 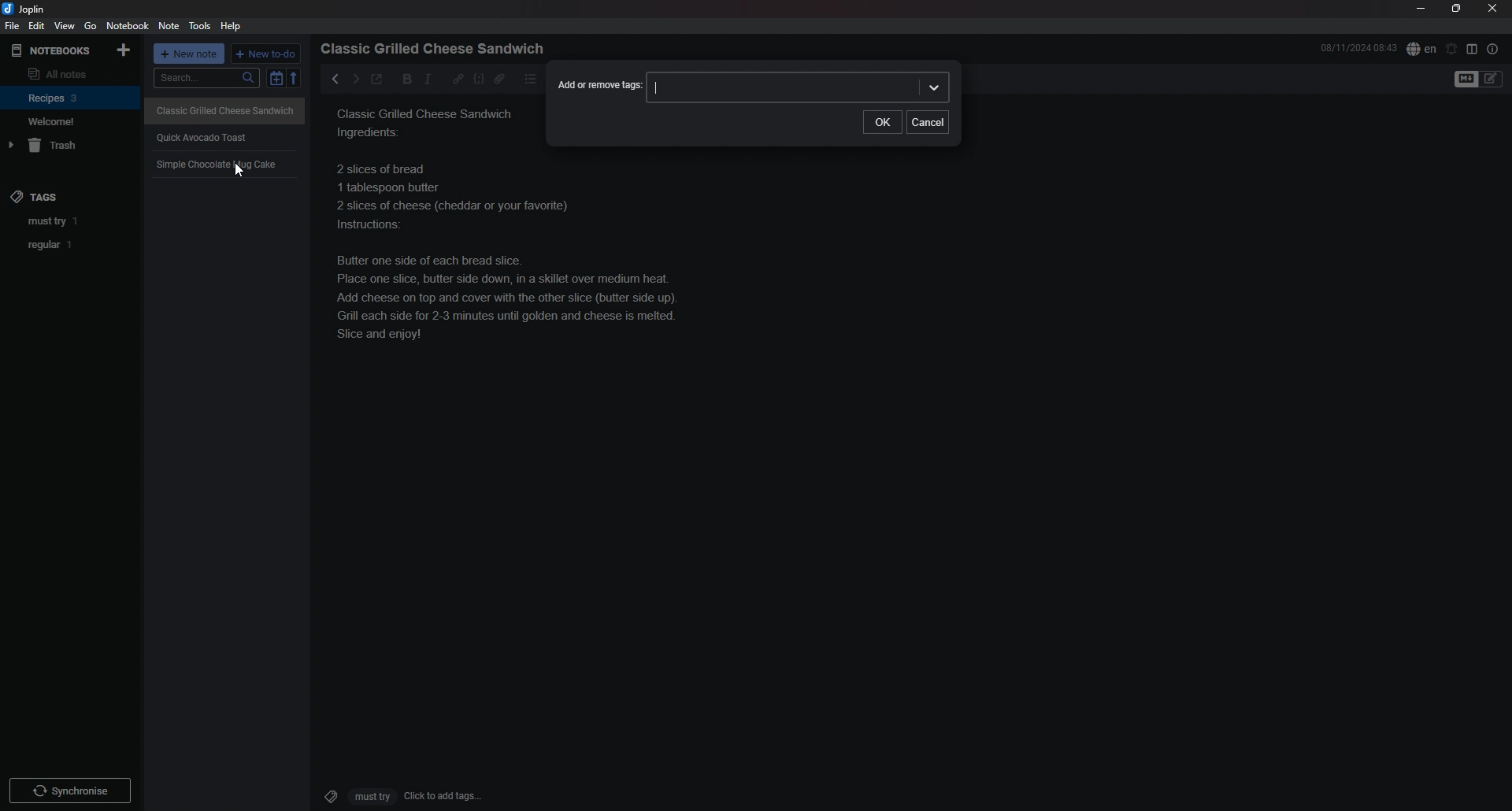 I want to click on view, so click(x=64, y=26).